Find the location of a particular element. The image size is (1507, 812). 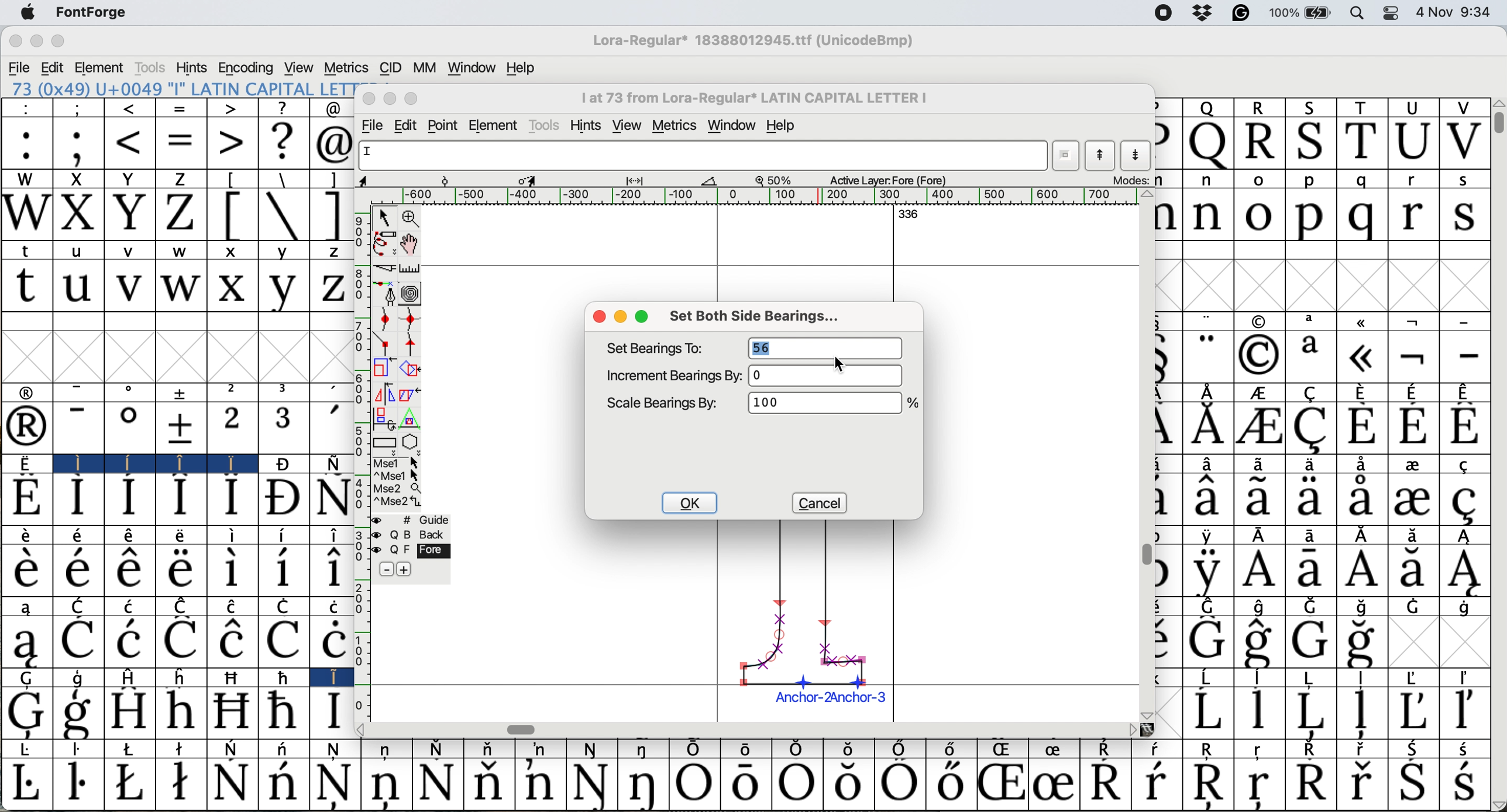

3 is located at coordinates (285, 428).